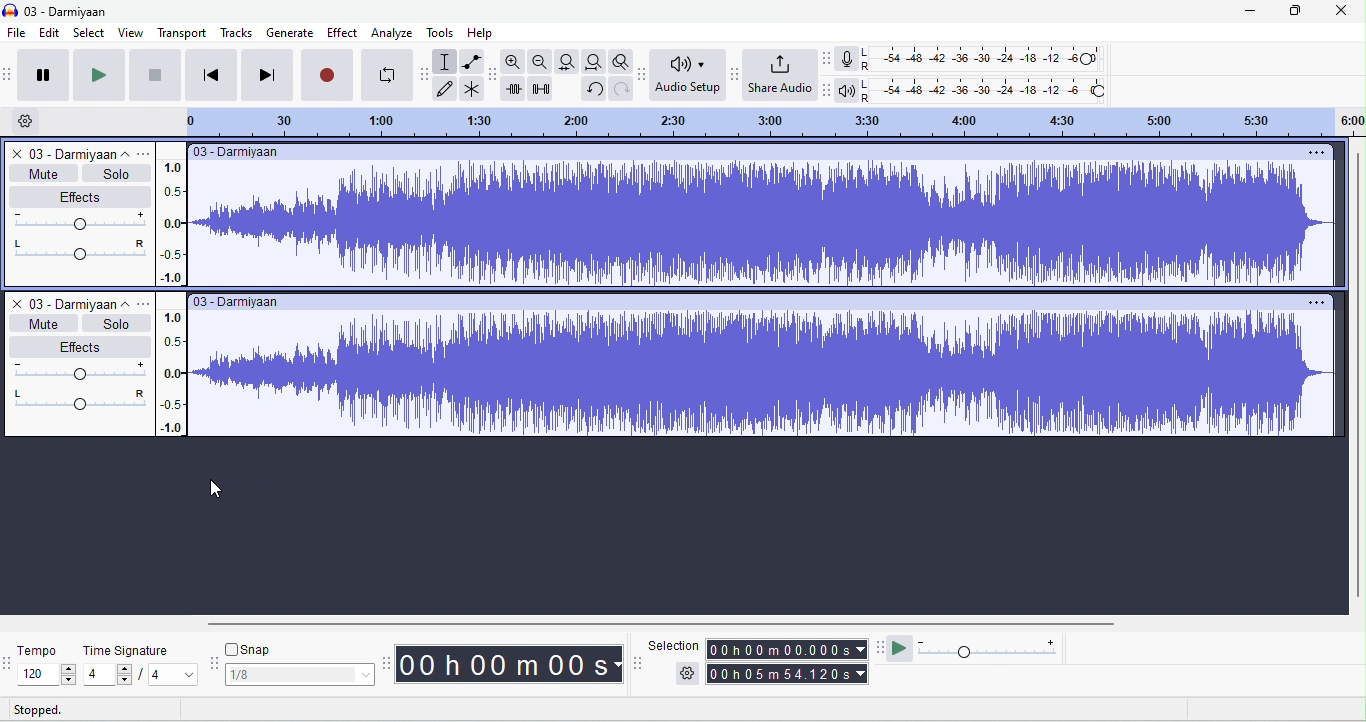  Describe the element at coordinates (139, 674) in the screenshot. I see `select time signature` at that location.